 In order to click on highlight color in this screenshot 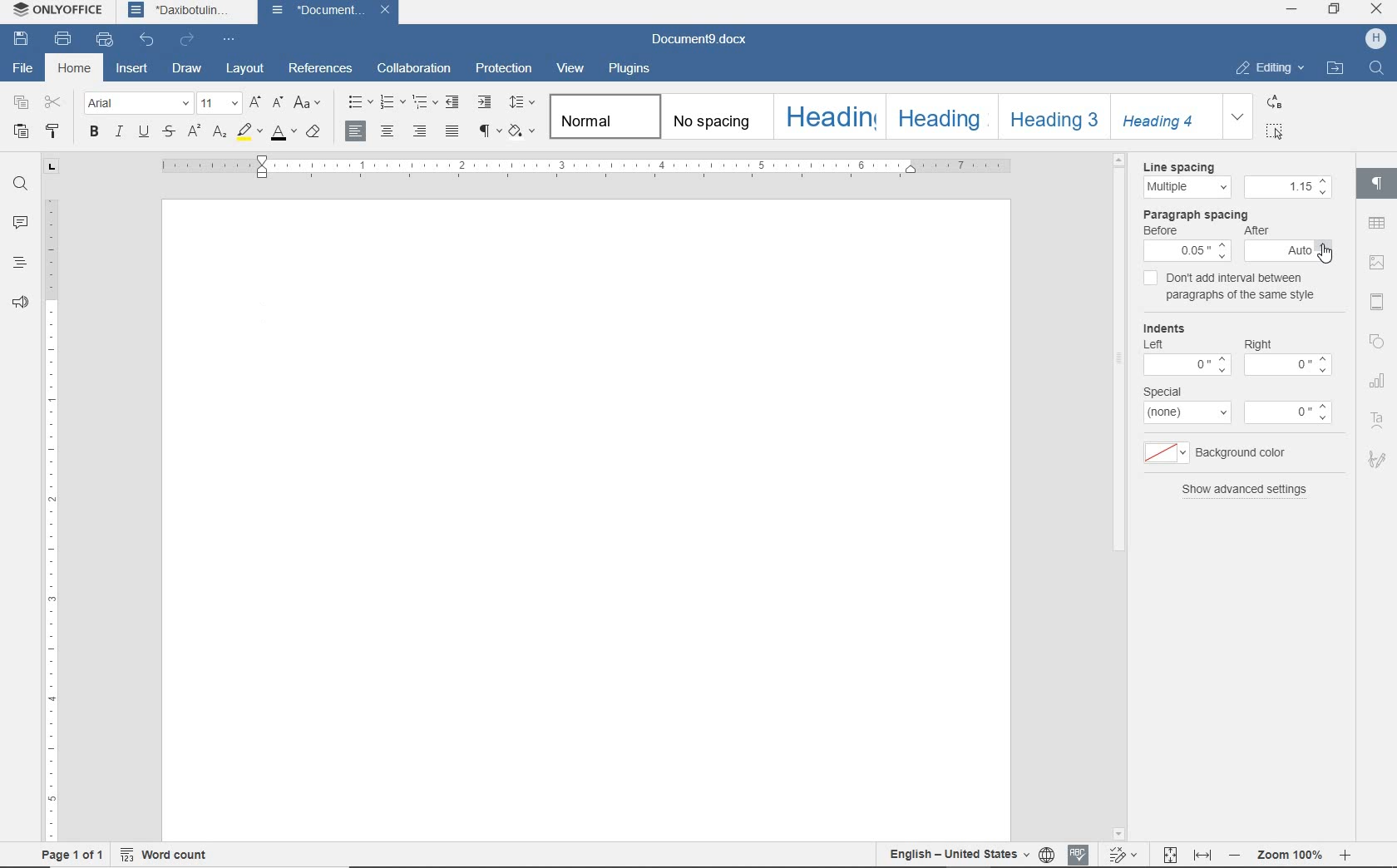, I will do `click(250, 132)`.